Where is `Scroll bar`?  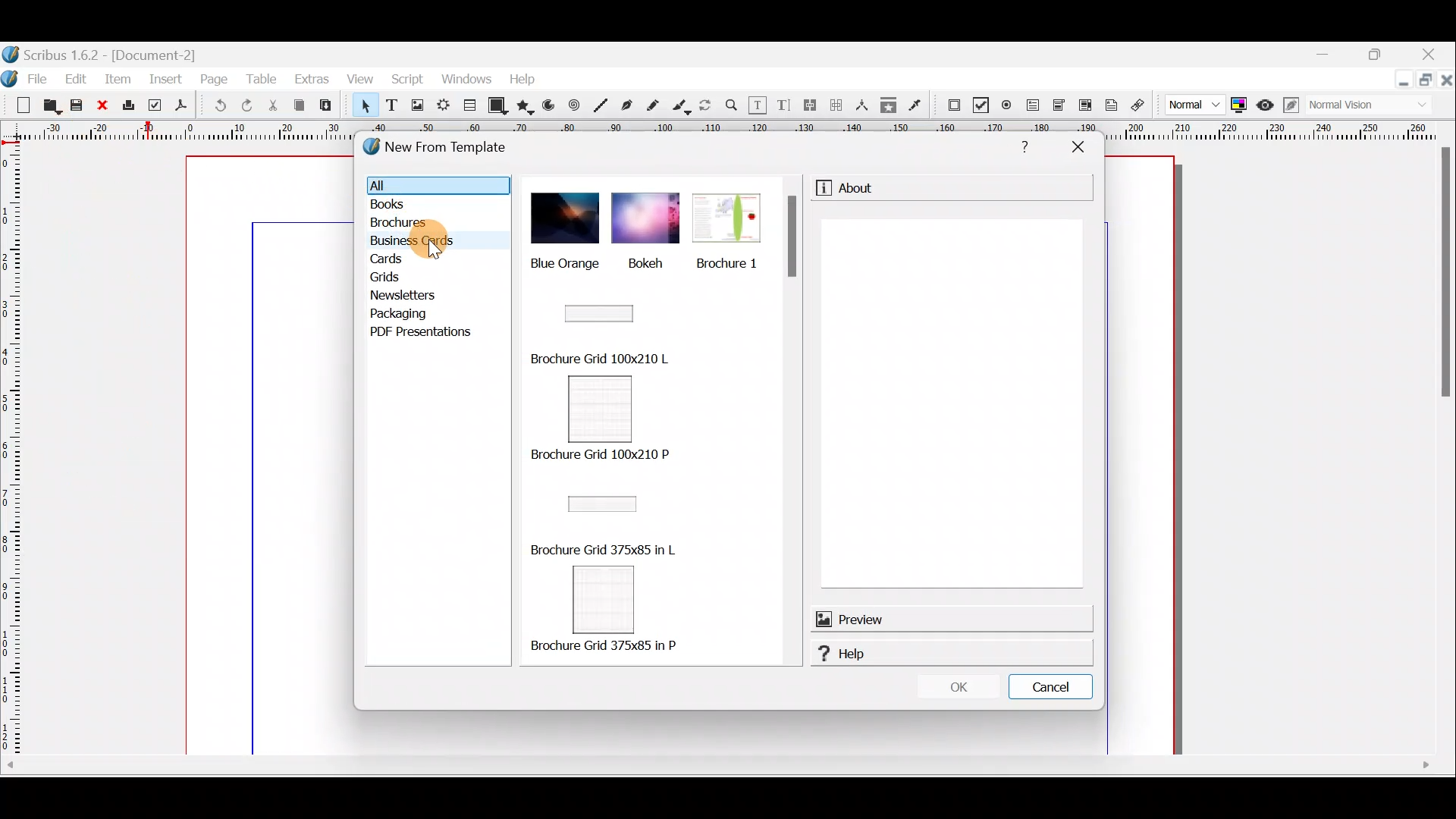
Scroll bar is located at coordinates (729, 767).